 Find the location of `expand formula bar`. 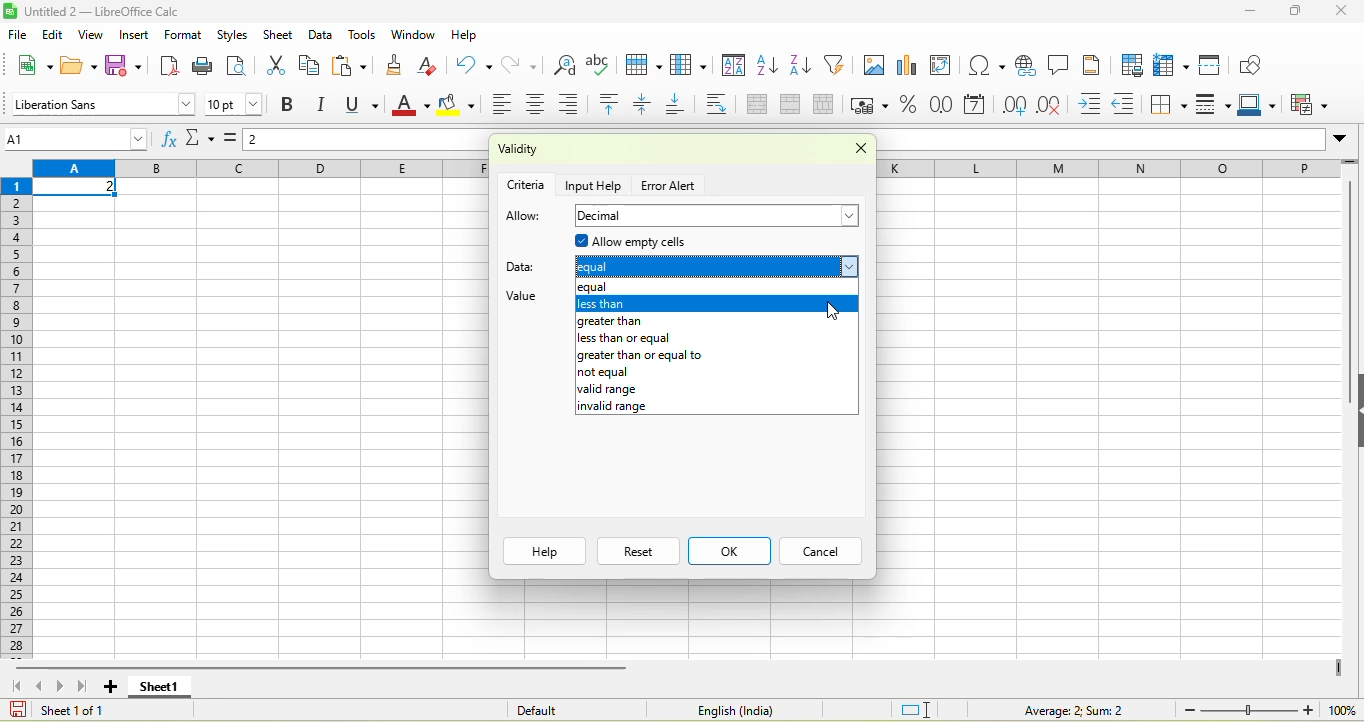

expand formula bar is located at coordinates (1345, 142).